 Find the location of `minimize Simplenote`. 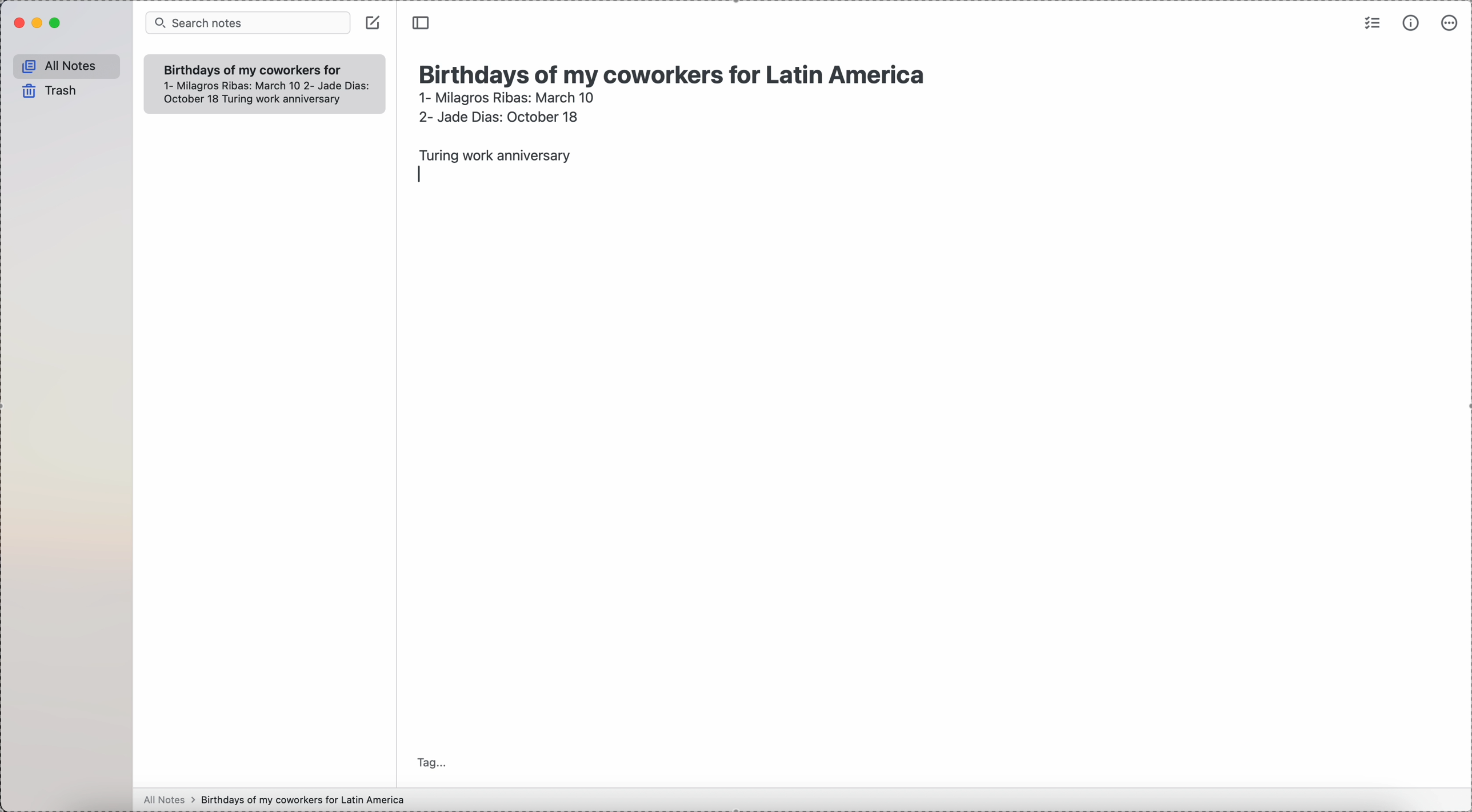

minimize Simplenote is located at coordinates (39, 24).